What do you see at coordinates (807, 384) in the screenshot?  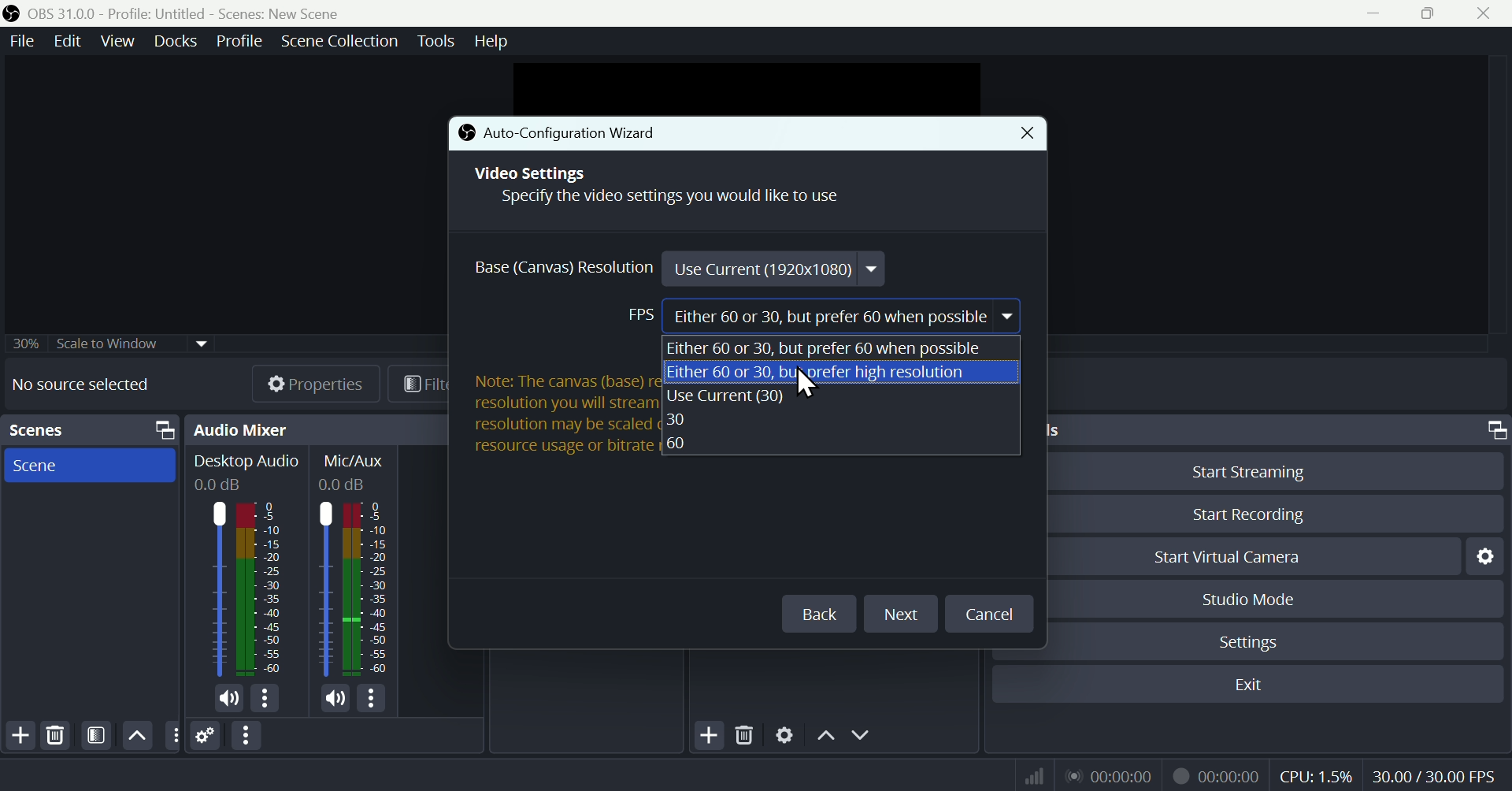 I see `cursor` at bounding box center [807, 384].